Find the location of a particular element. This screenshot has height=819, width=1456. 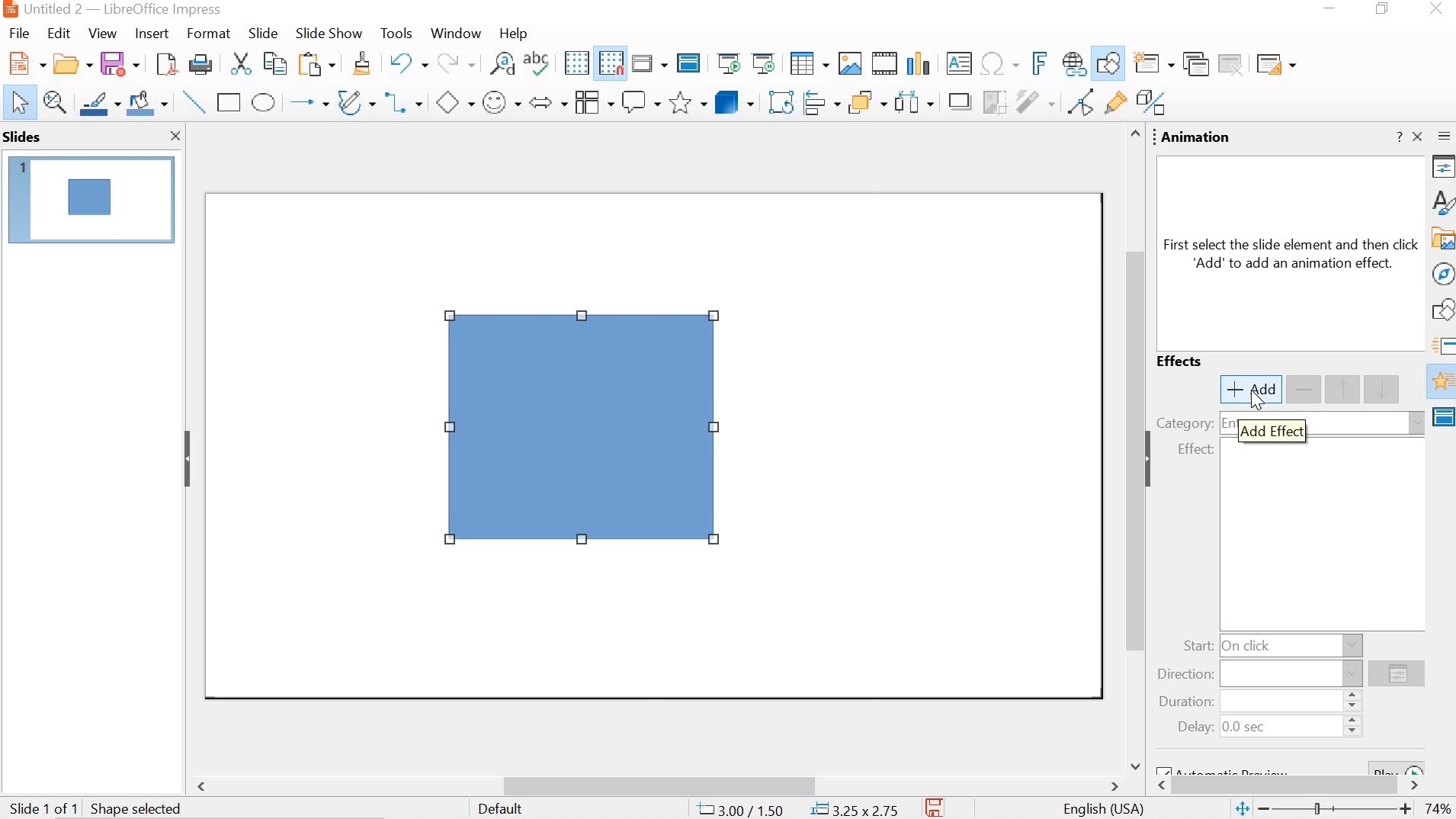

shape is located at coordinates (586, 433).